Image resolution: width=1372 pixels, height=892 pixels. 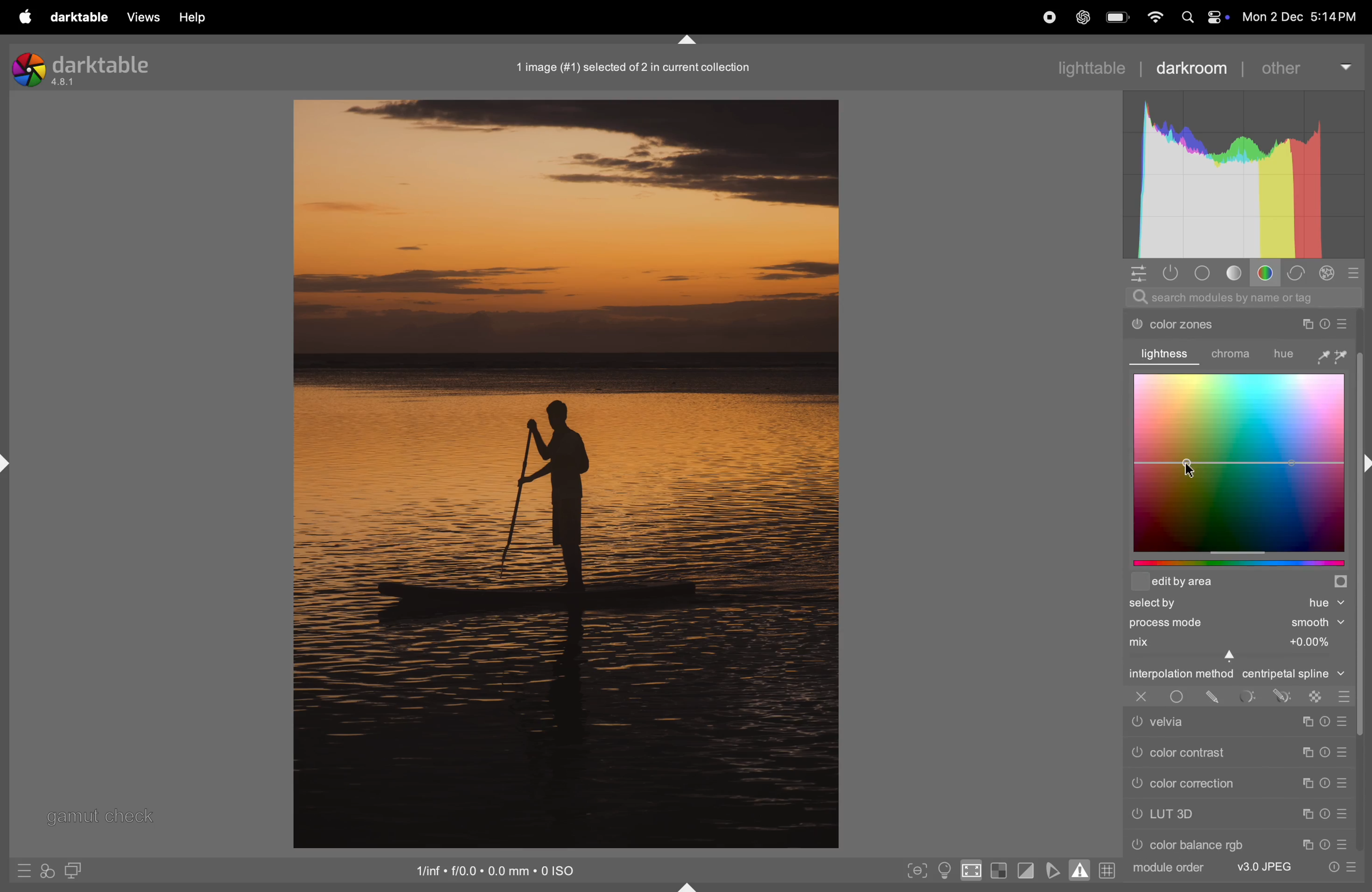 What do you see at coordinates (1201, 273) in the screenshot?
I see `` at bounding box center [1201, 273].